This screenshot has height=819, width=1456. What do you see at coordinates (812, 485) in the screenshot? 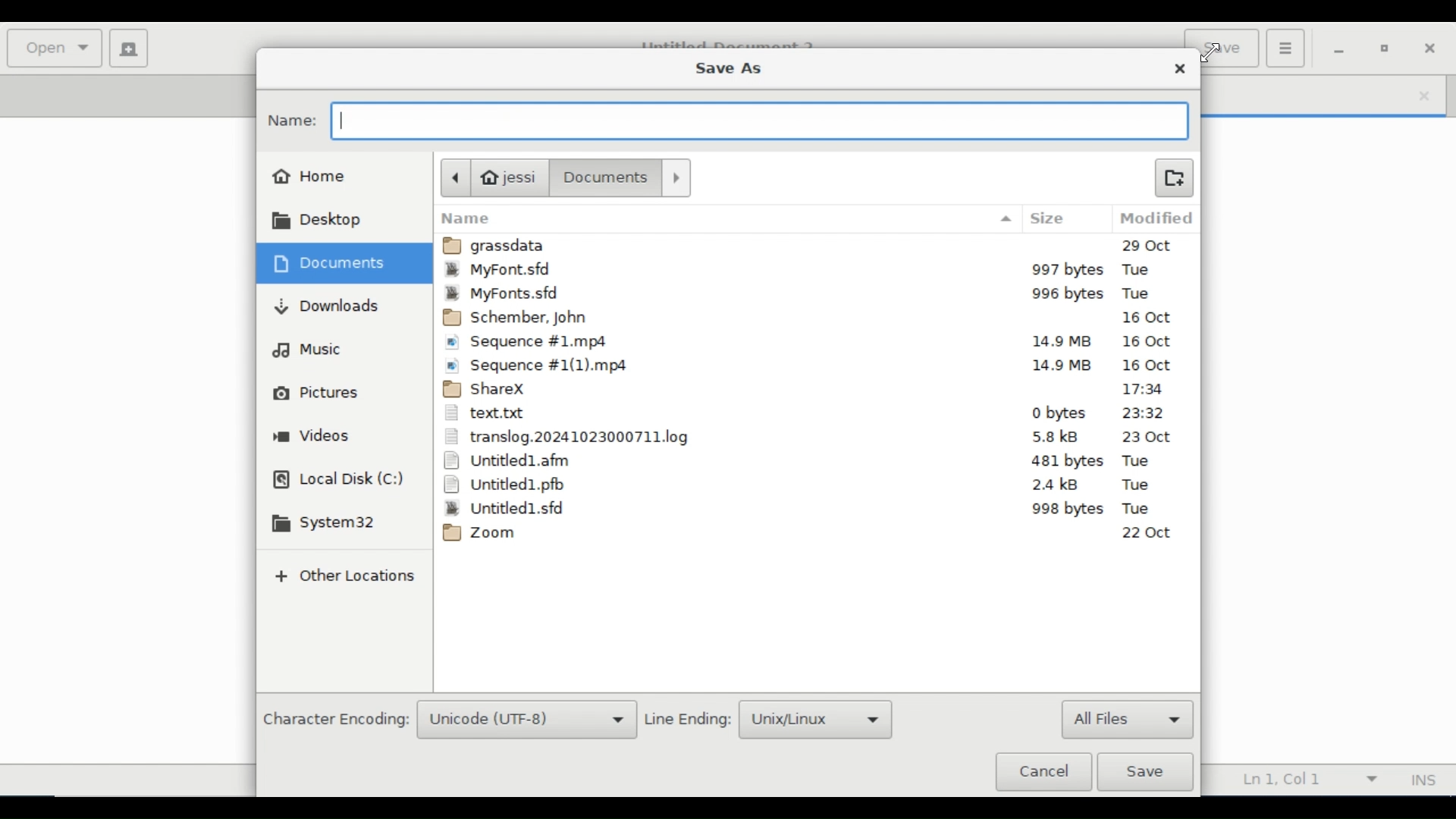
I see `Untitled1.pfb 2.4kB Tue` at bounding box center [812, 485].